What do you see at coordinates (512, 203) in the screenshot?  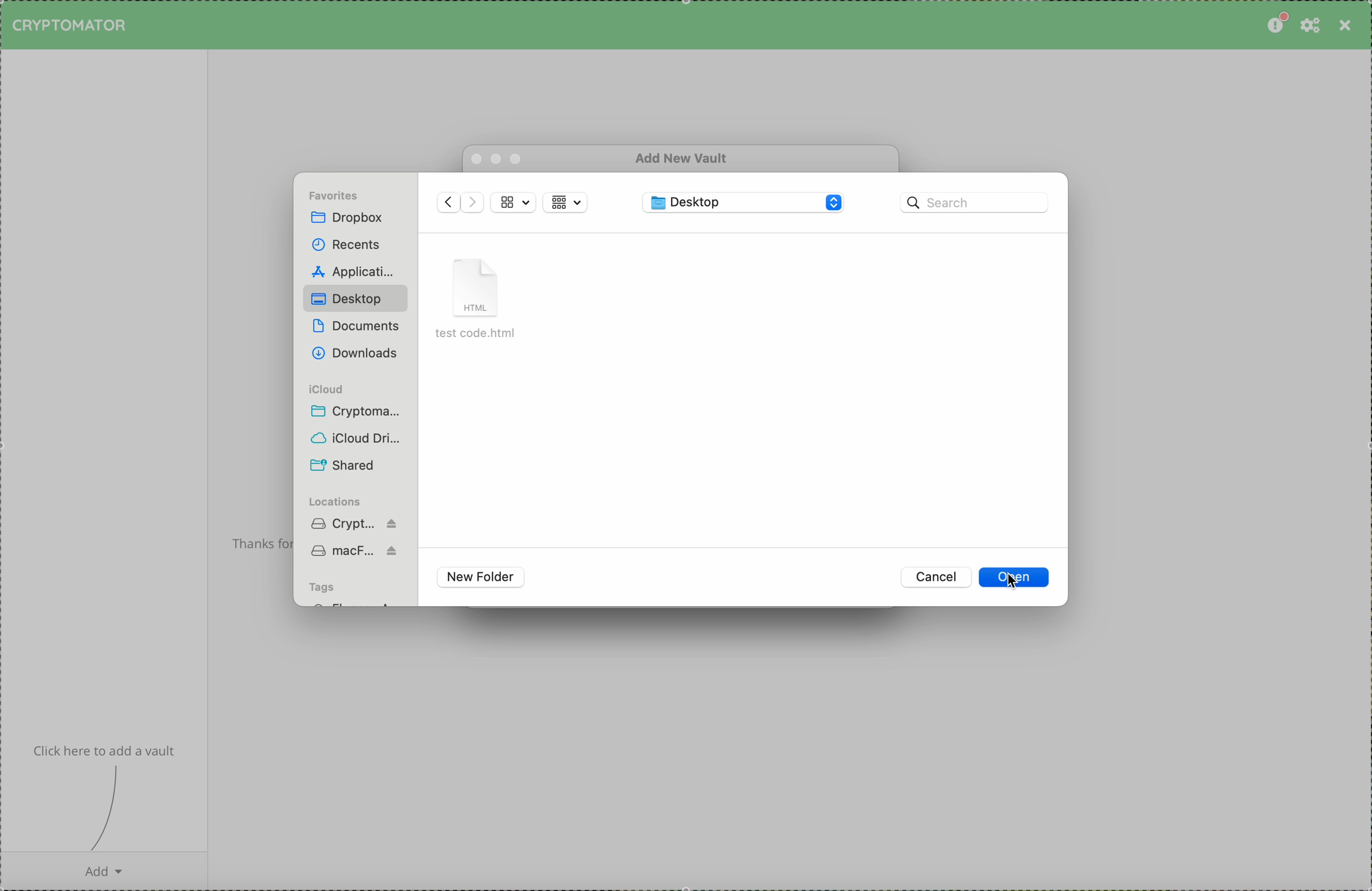 I see `view` at bounding box center [512, 203].